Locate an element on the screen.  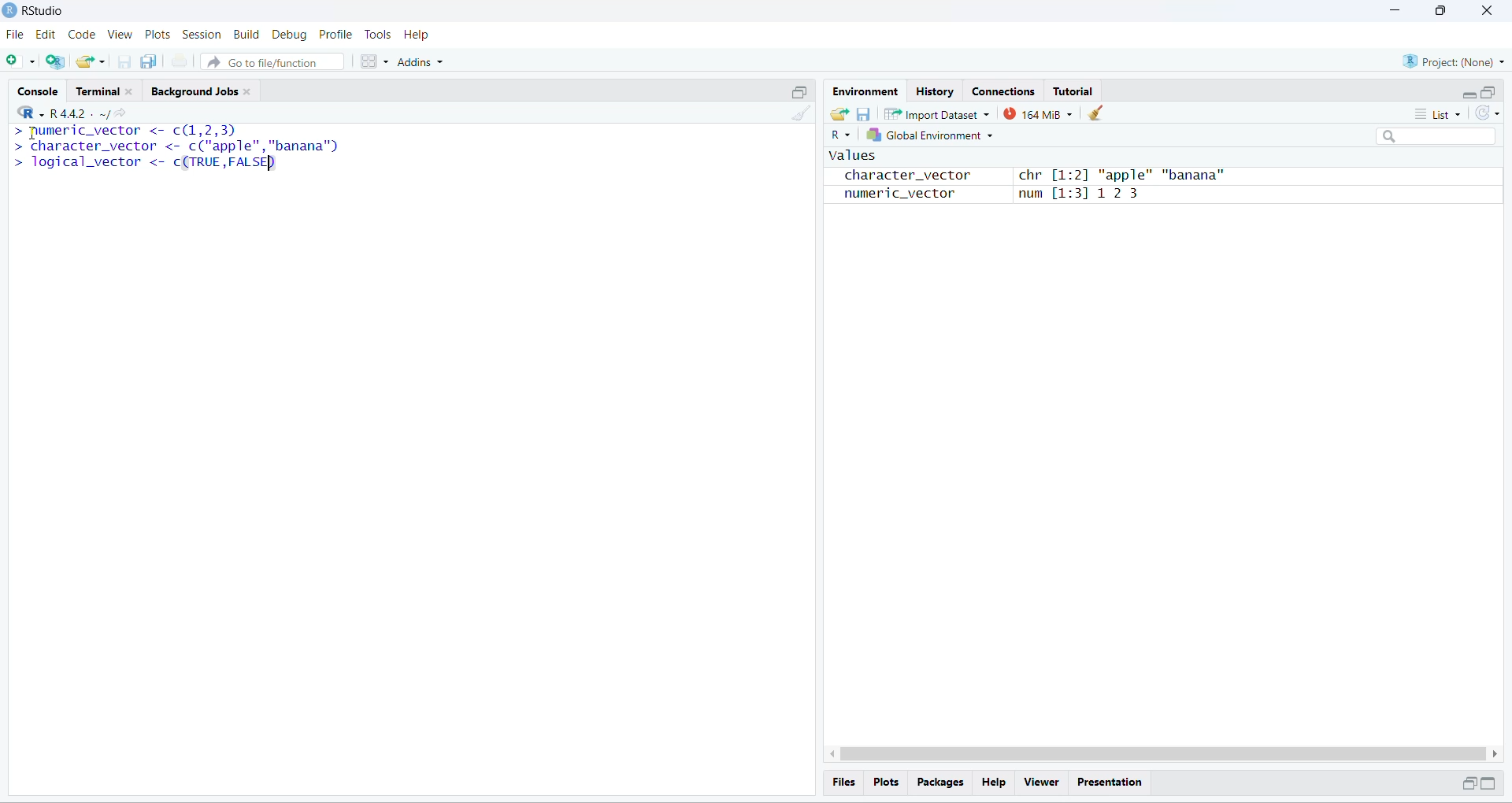
Help is located at coordinates (418, 35).